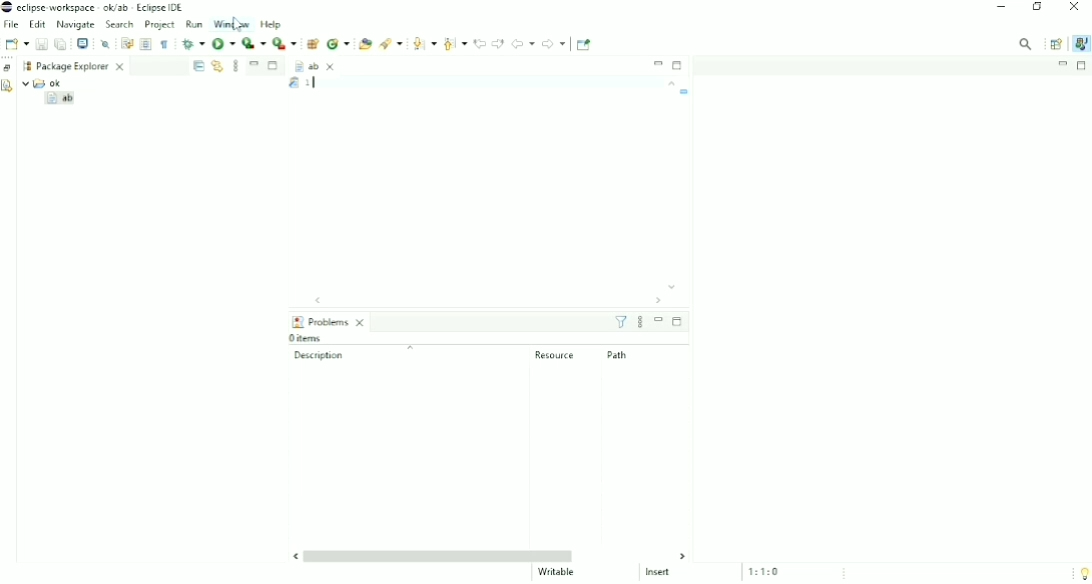 The width and height of the screenshot is (1092, 584). Describe the element at coordinates (83, 43) in the screenshot. I see `Open a Terminal` at that location.